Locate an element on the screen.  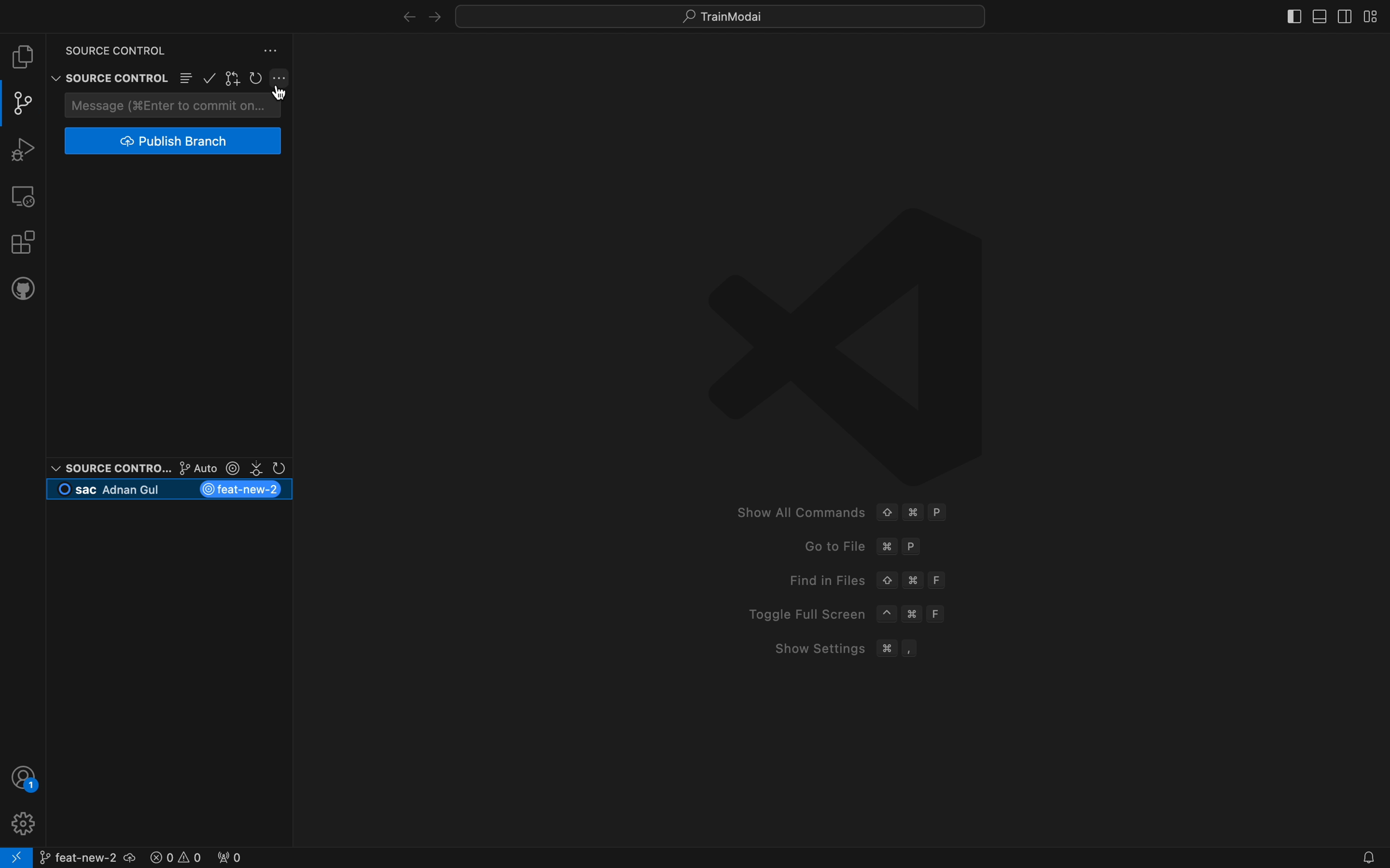
Toggle Full Screen is located at coordinates (799, 614).